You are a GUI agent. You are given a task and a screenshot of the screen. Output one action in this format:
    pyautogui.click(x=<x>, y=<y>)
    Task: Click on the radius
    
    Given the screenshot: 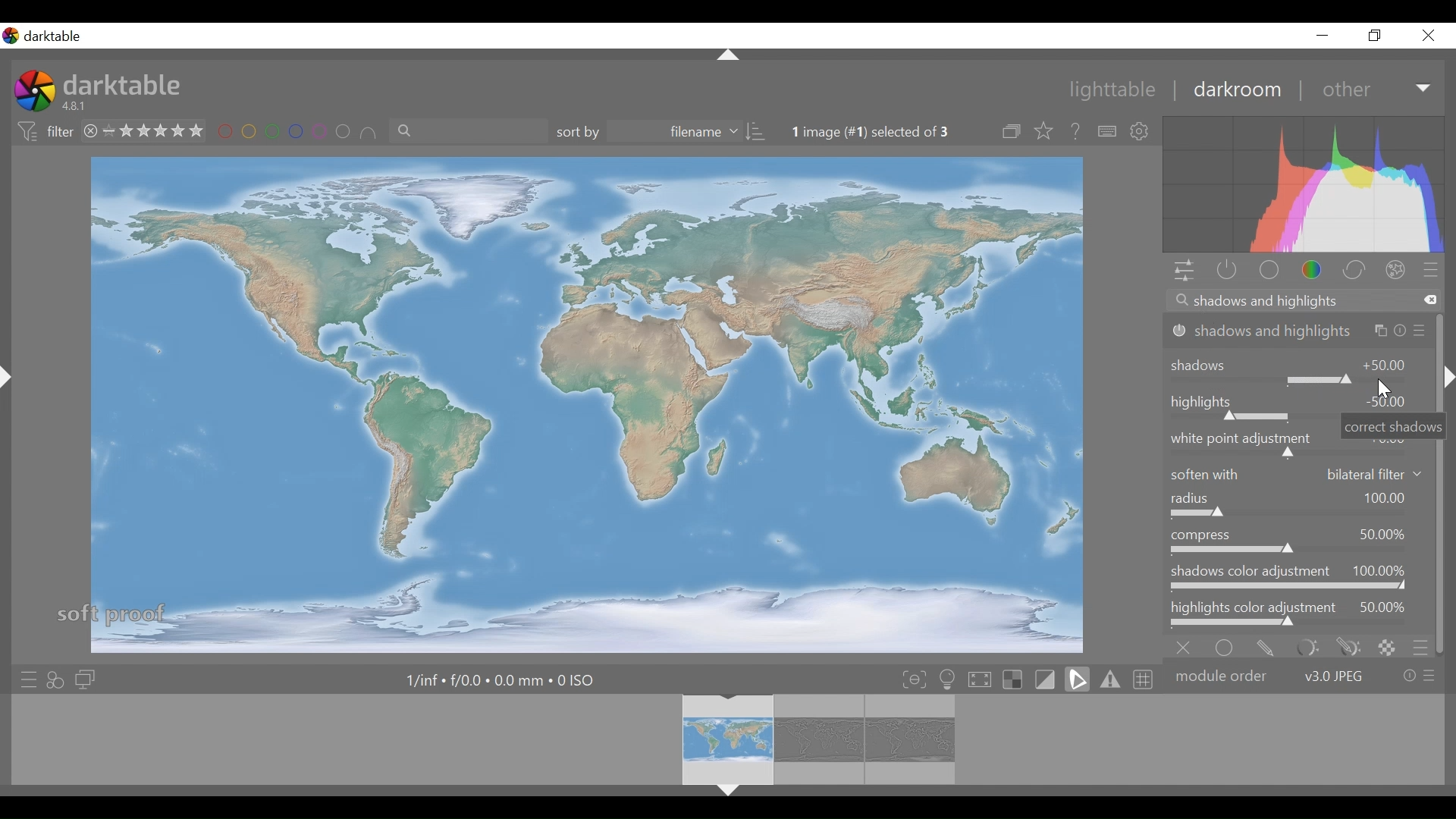 What is the action you would take?
    pyautogui.click(x=1299, y=506)
    